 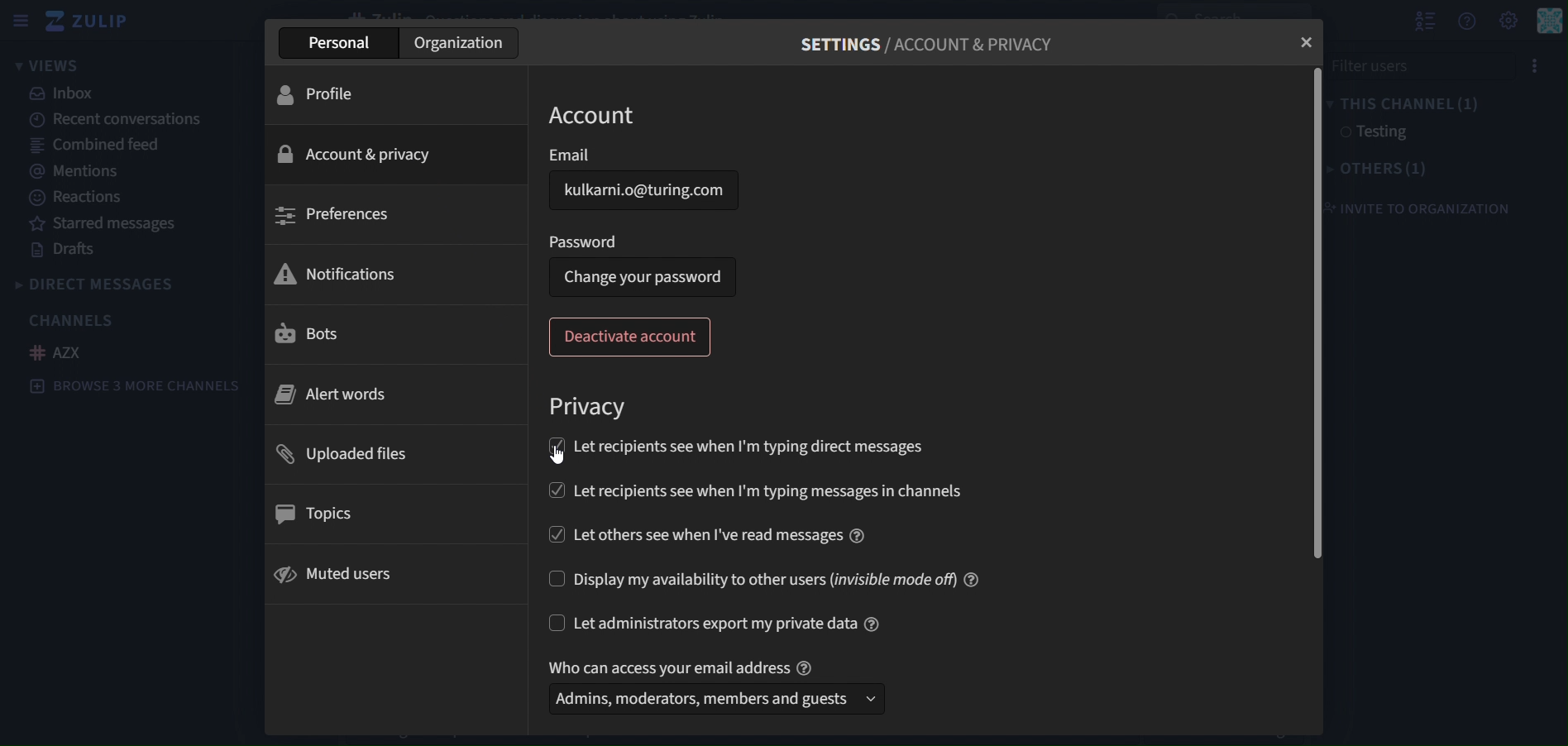 I want to click on privacy, so click(x=587, y=409).